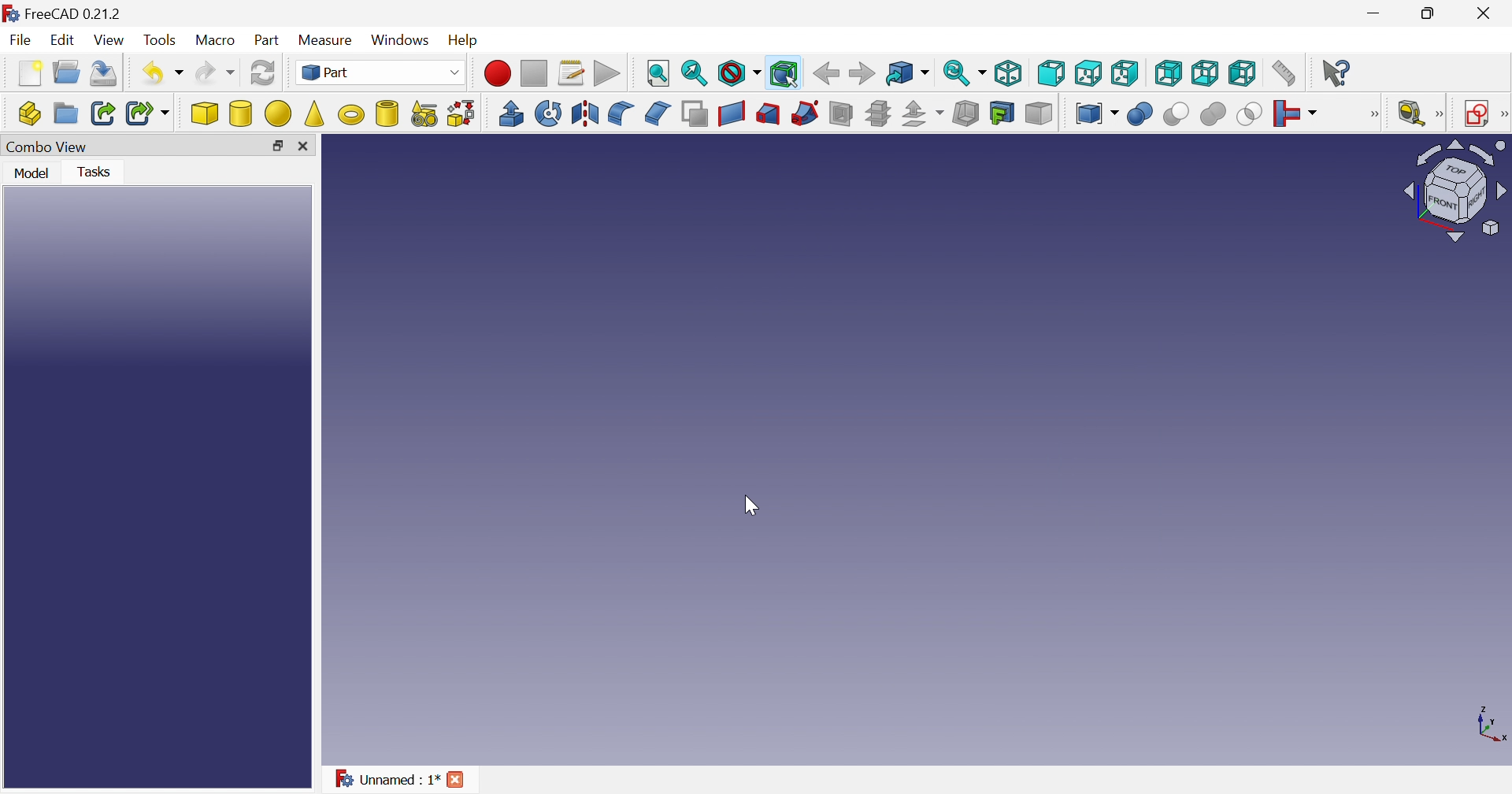  I want to click on Help, so click(467, 39).